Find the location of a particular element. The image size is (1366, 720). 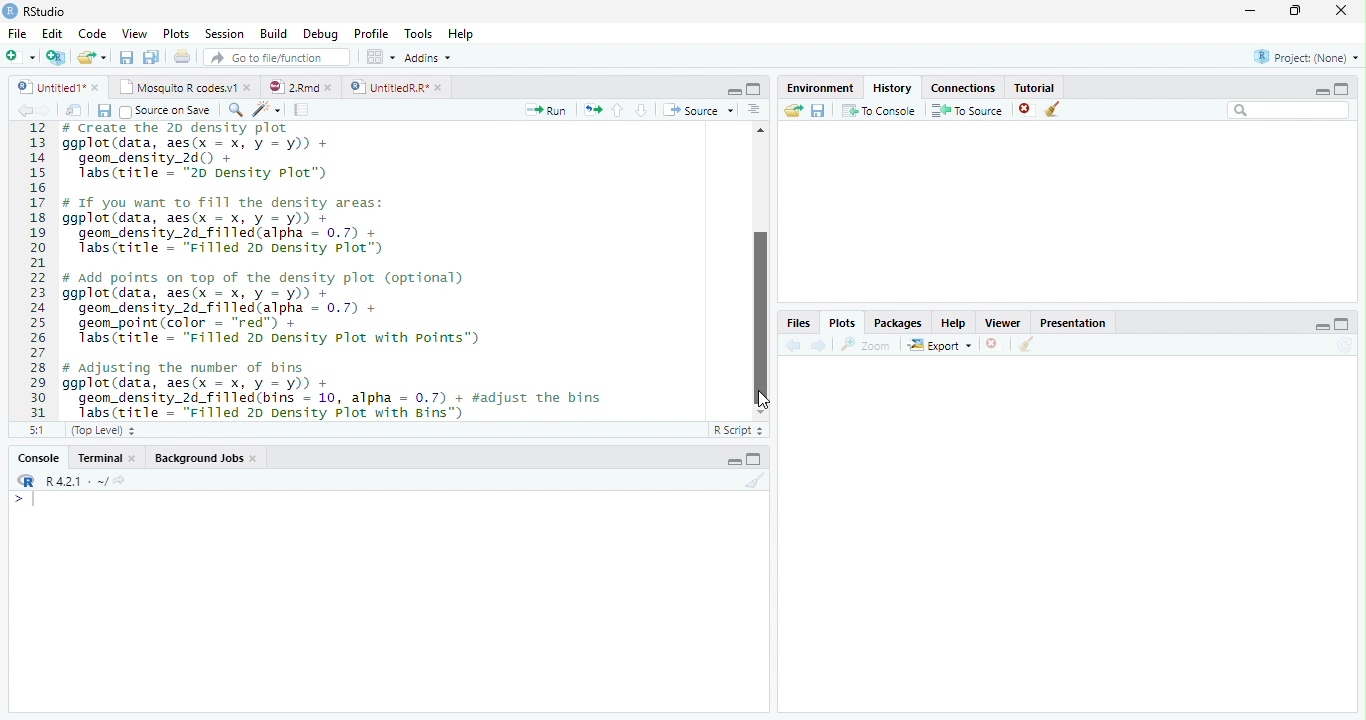

minimize is located at coordinates (735, 92).